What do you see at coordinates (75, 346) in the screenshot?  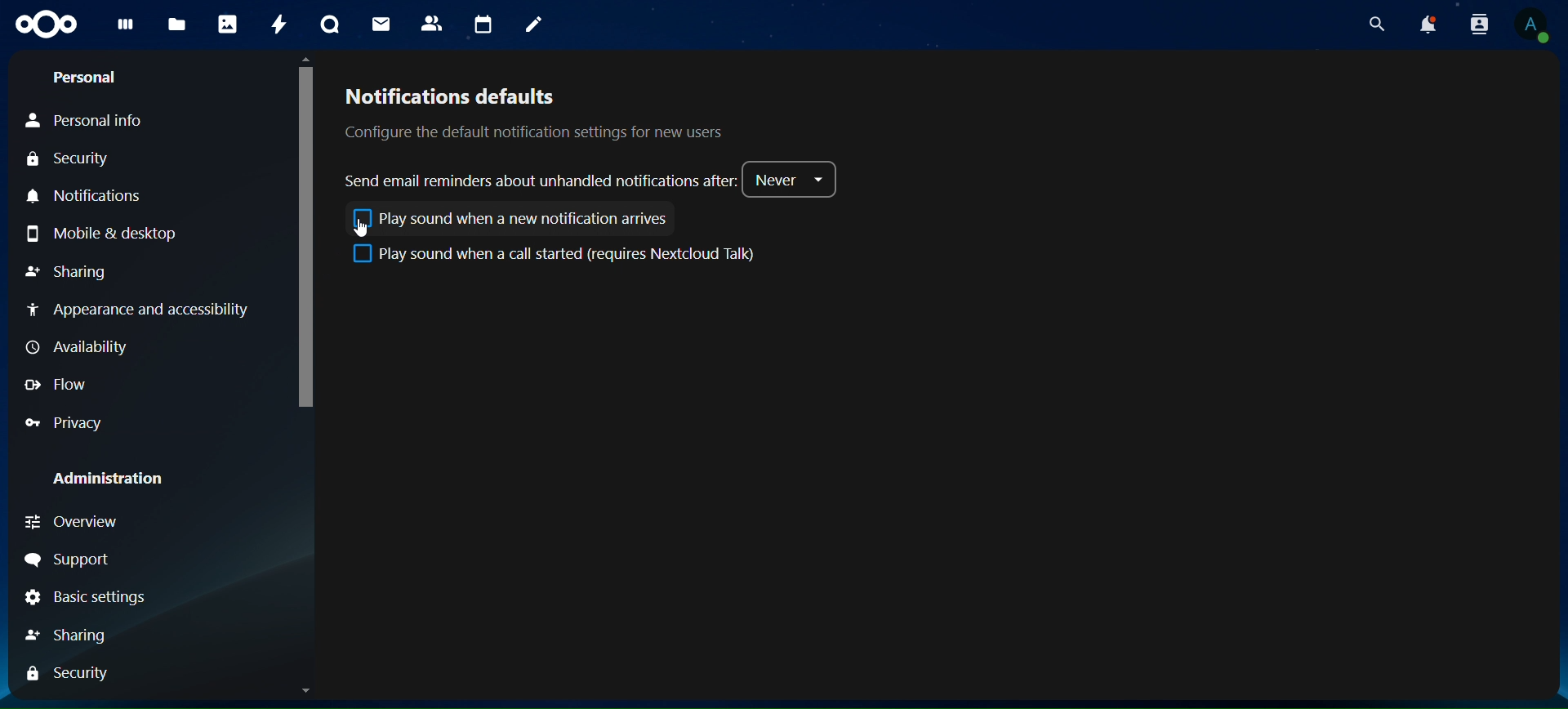 I see `Availability` at bounding box center [75, 346].